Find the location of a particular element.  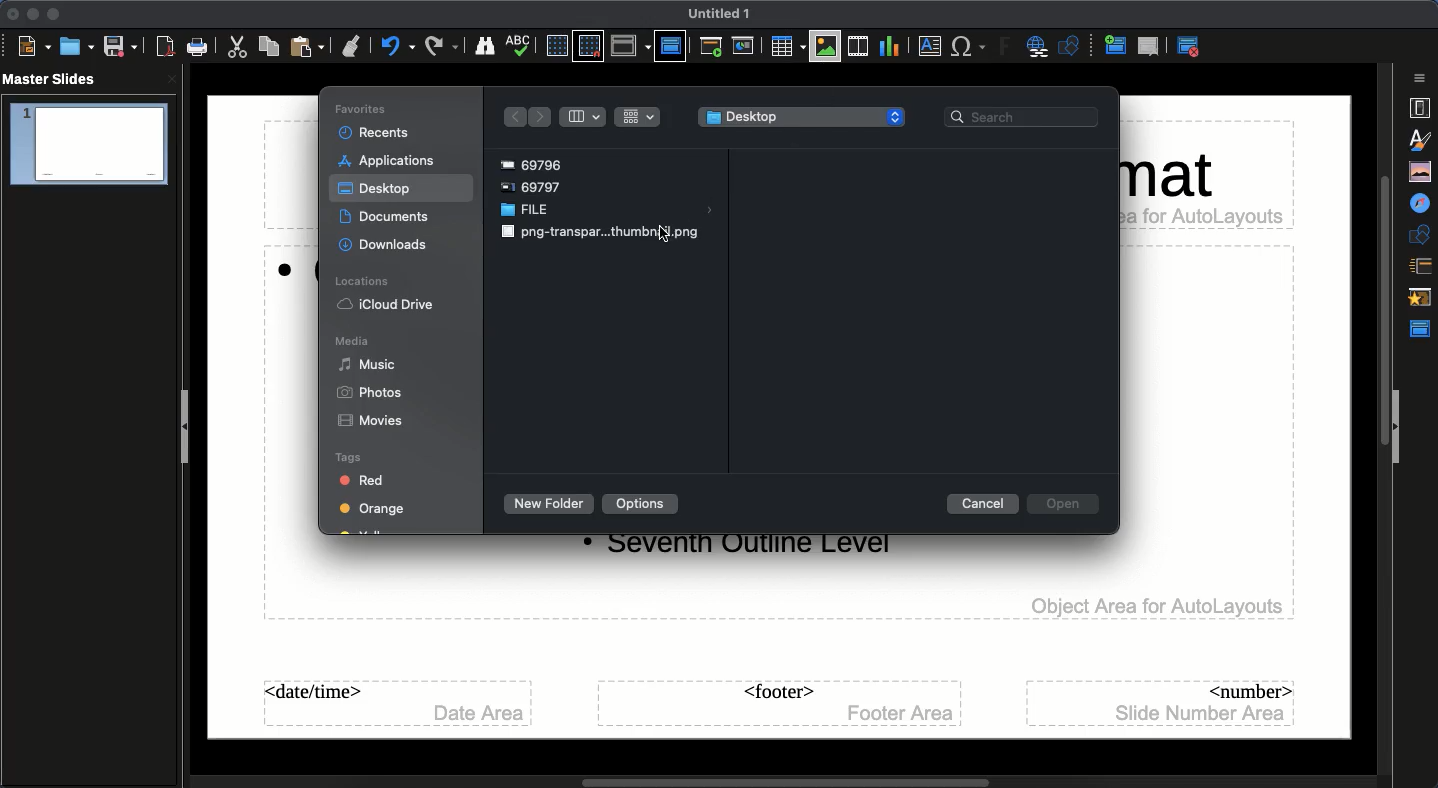

Desktop is located at coordinates (377, 189).